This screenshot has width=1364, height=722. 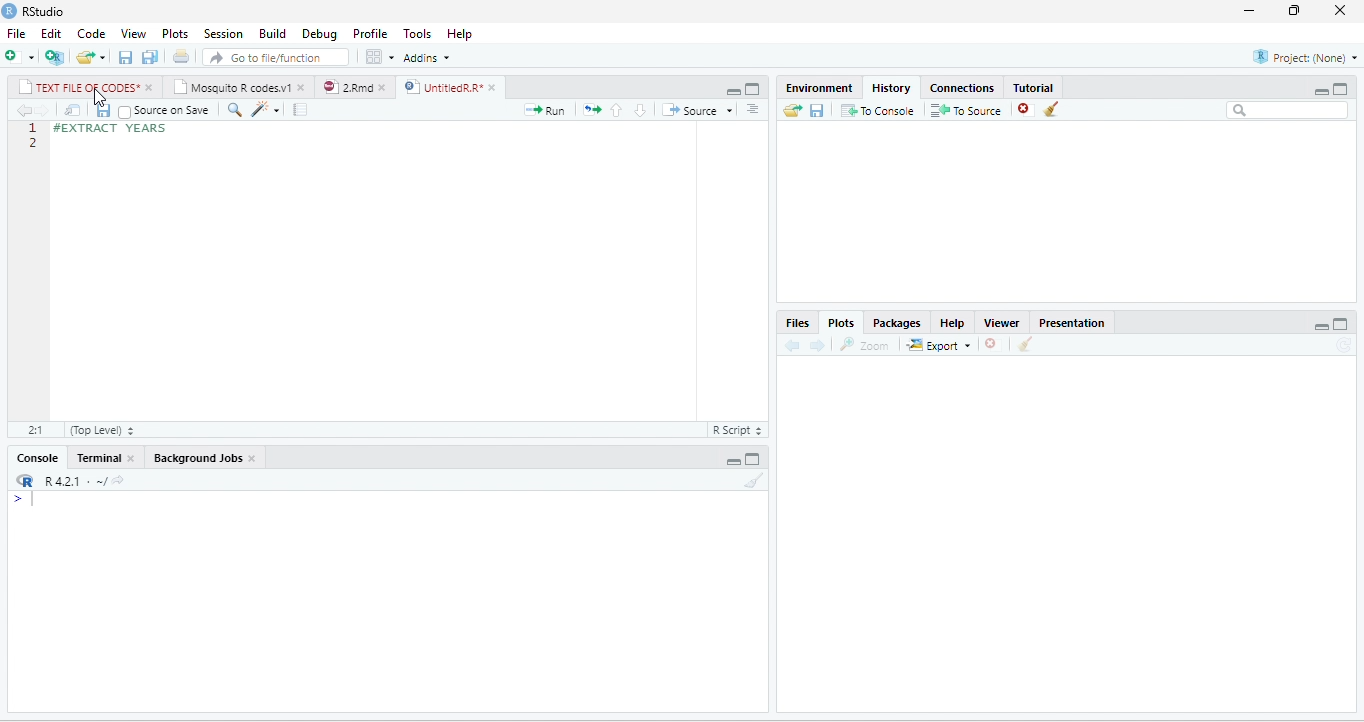 I want to click on Maximize, so click(x=1340, y=89).